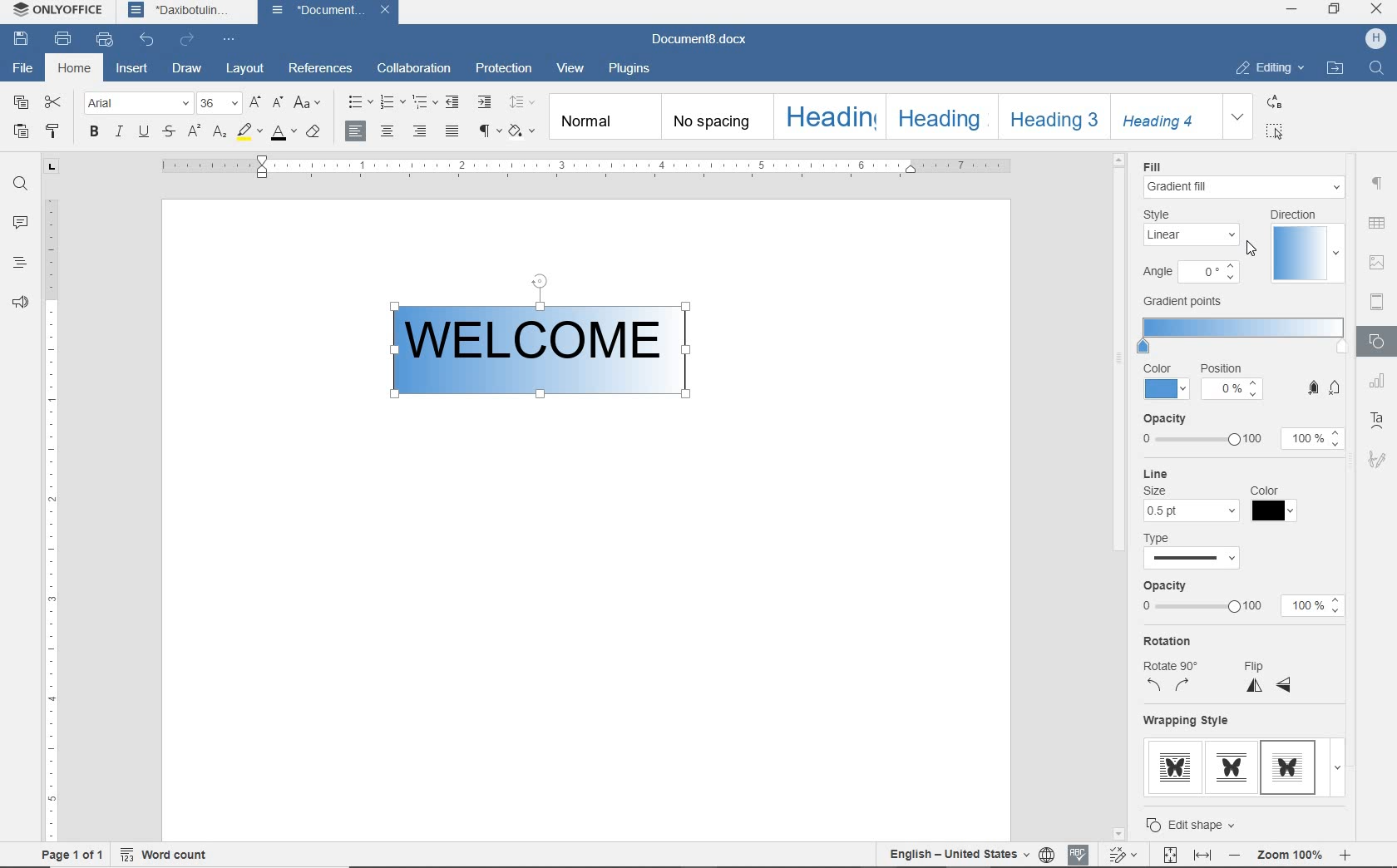 The width and height of the screenshot is (1397, 868). What do you see at coordinates (1300, 213) in the screenshot?
I see `Direction` at bounding box center [1300, 213].